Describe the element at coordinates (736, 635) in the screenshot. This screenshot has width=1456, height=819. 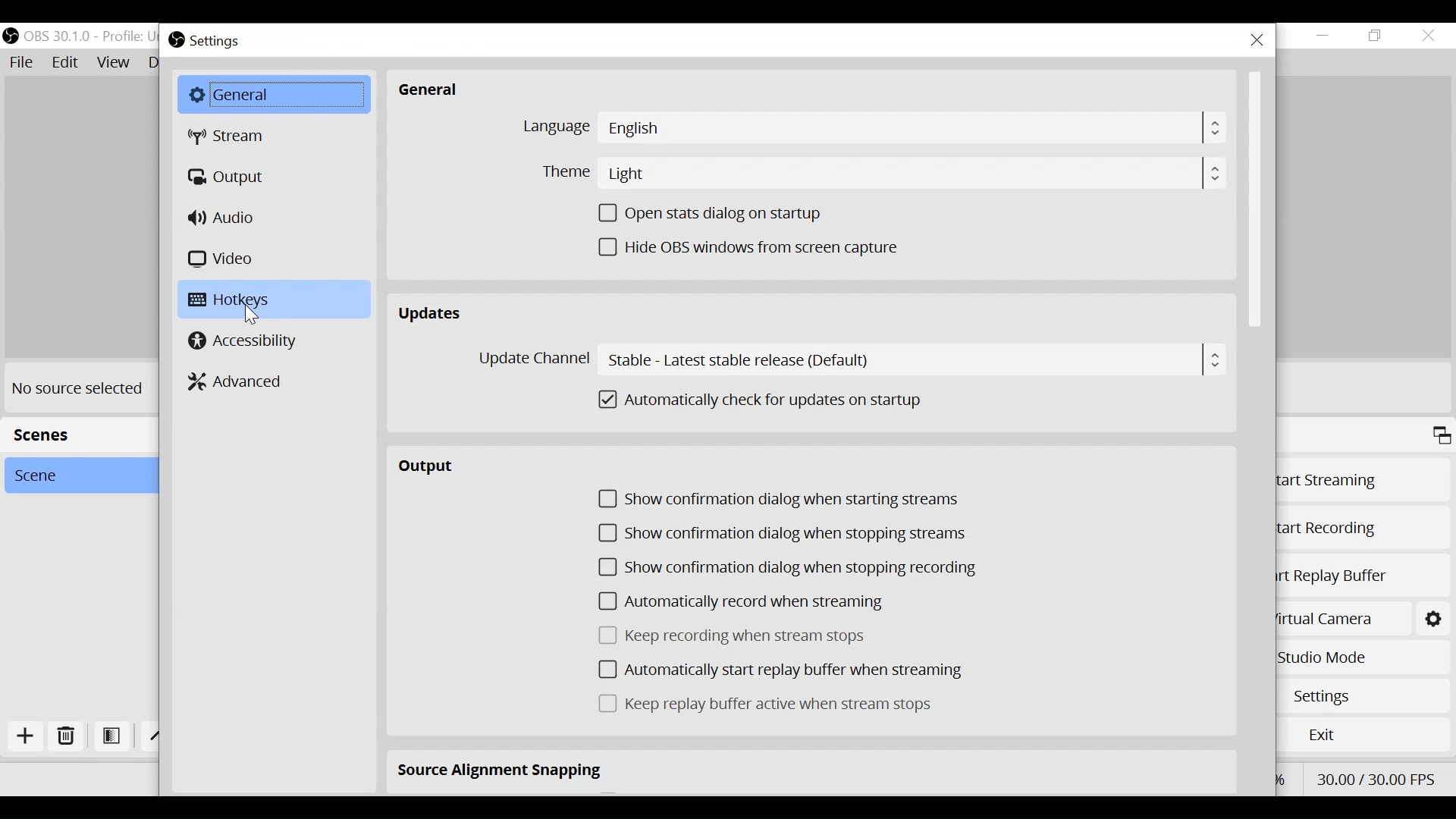
I see `Keep recording when stream stops` at that location.